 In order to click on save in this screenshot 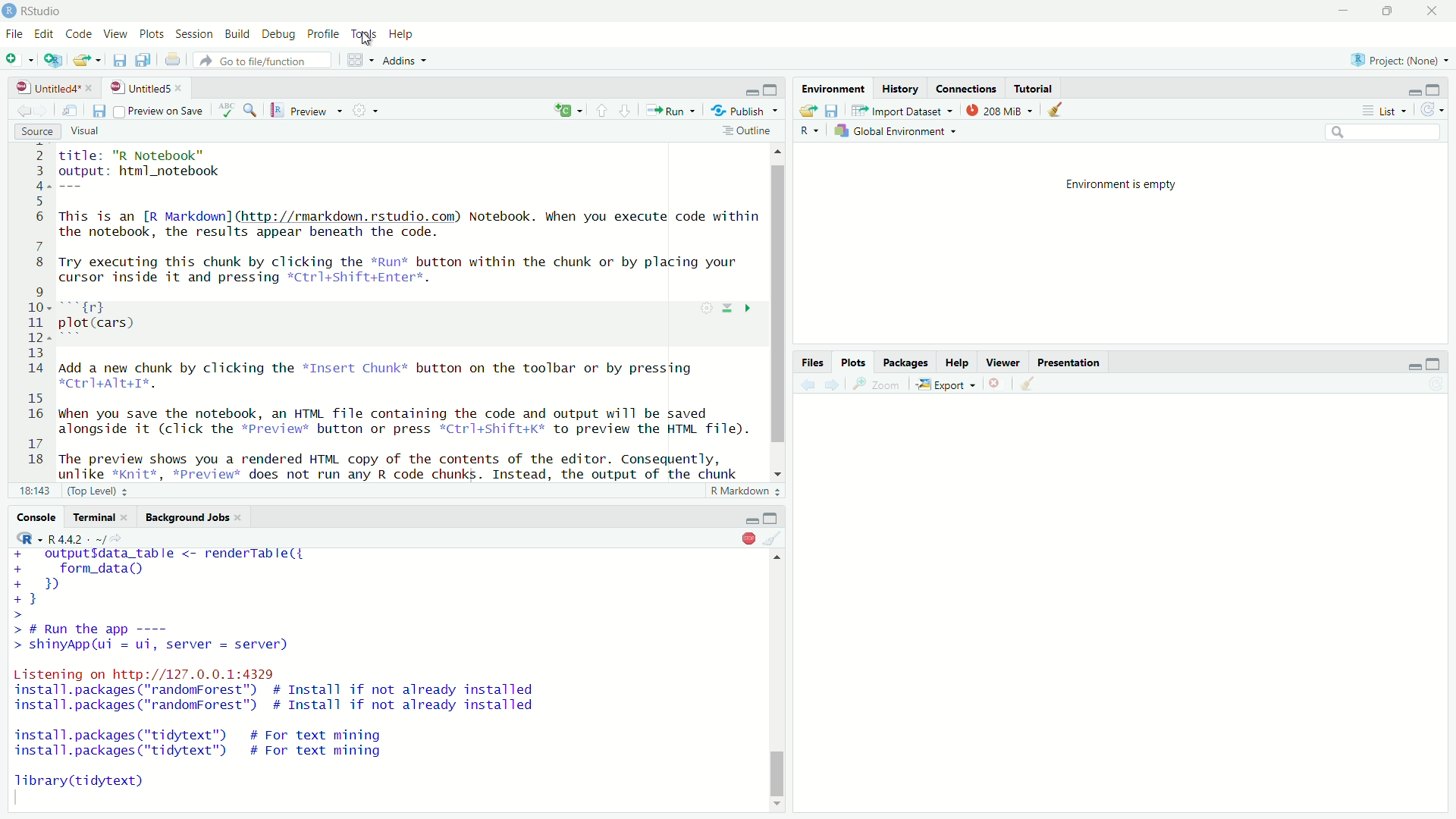, I will do `click(98, 111)`.